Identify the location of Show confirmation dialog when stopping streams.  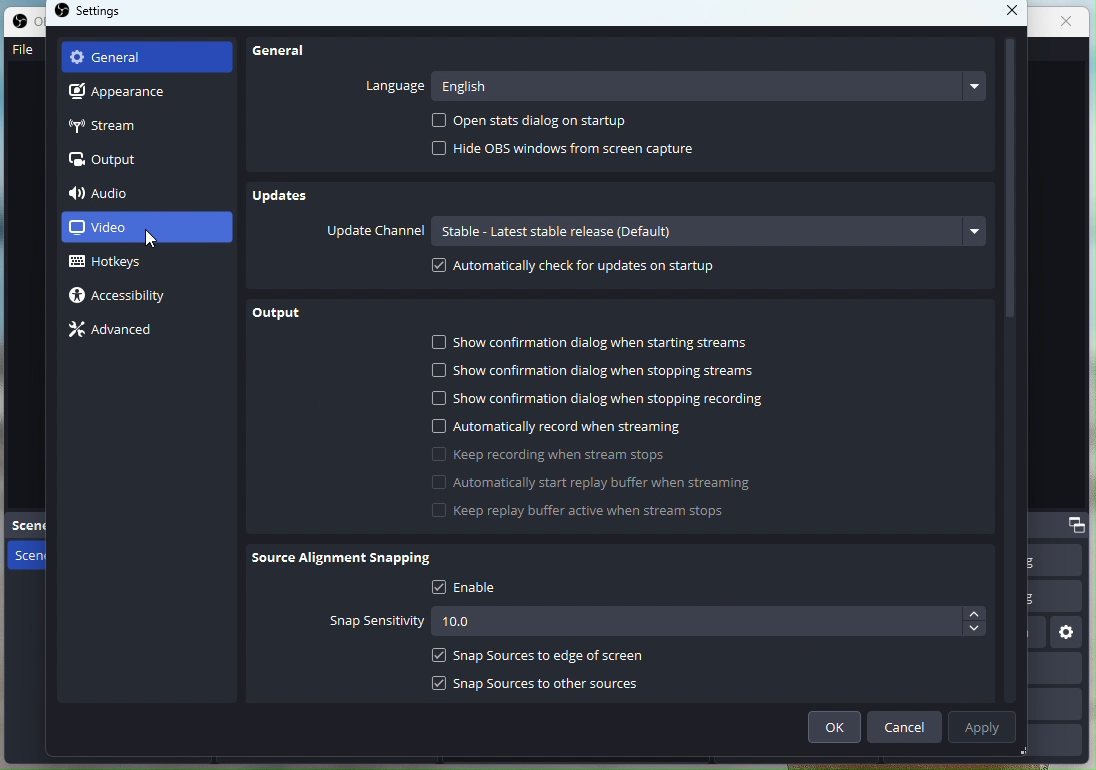
(595, 371).